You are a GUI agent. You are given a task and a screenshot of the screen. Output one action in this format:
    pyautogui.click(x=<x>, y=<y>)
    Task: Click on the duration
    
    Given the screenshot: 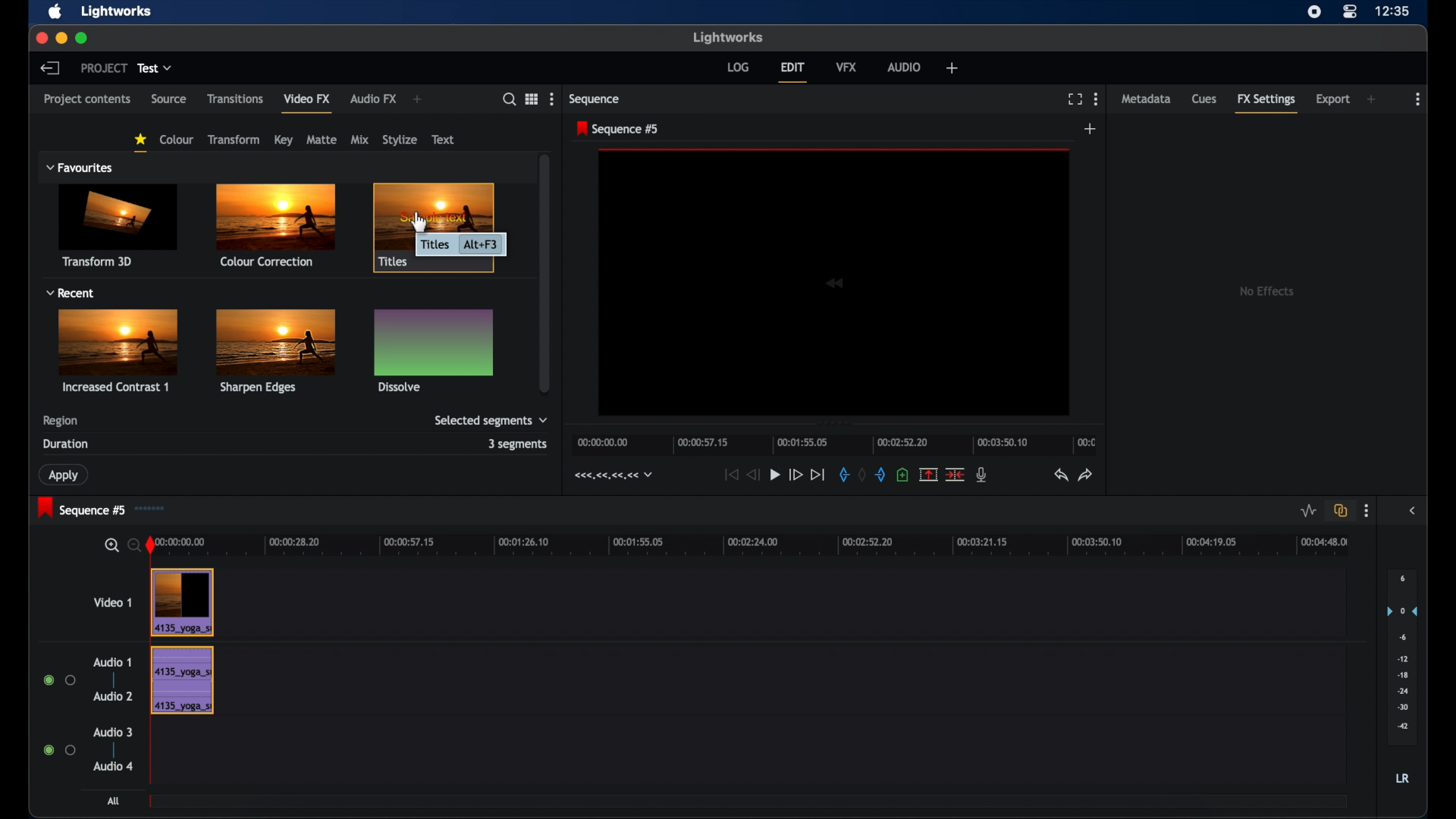 What is the action you would take?
    pyautogui.click(x=67, y=444)
    